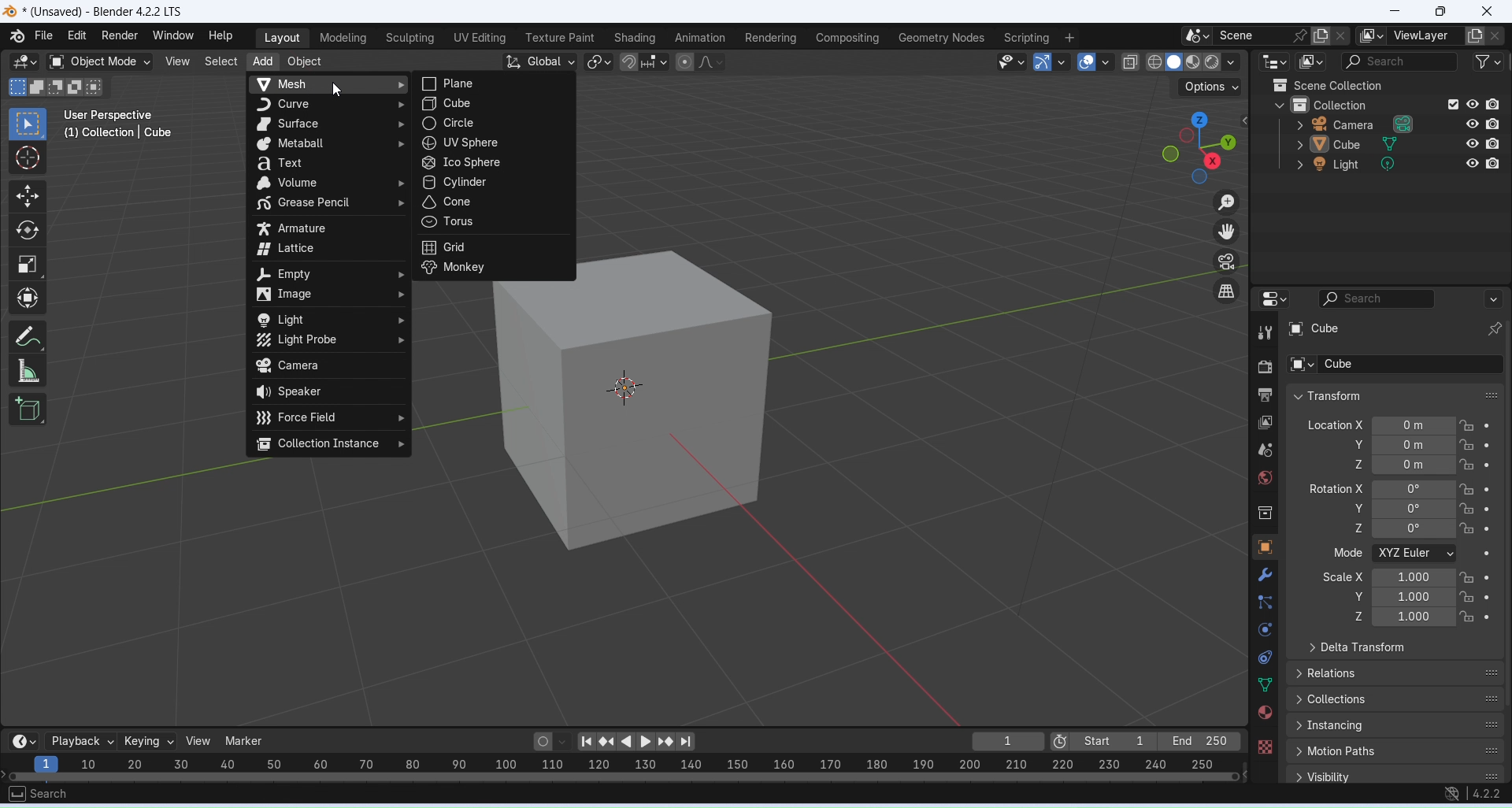 This screenshot has height=808, width=1512. Describe the element at coordinates (1396, 753) in the screenshot. I see `Motion paths` at that location.